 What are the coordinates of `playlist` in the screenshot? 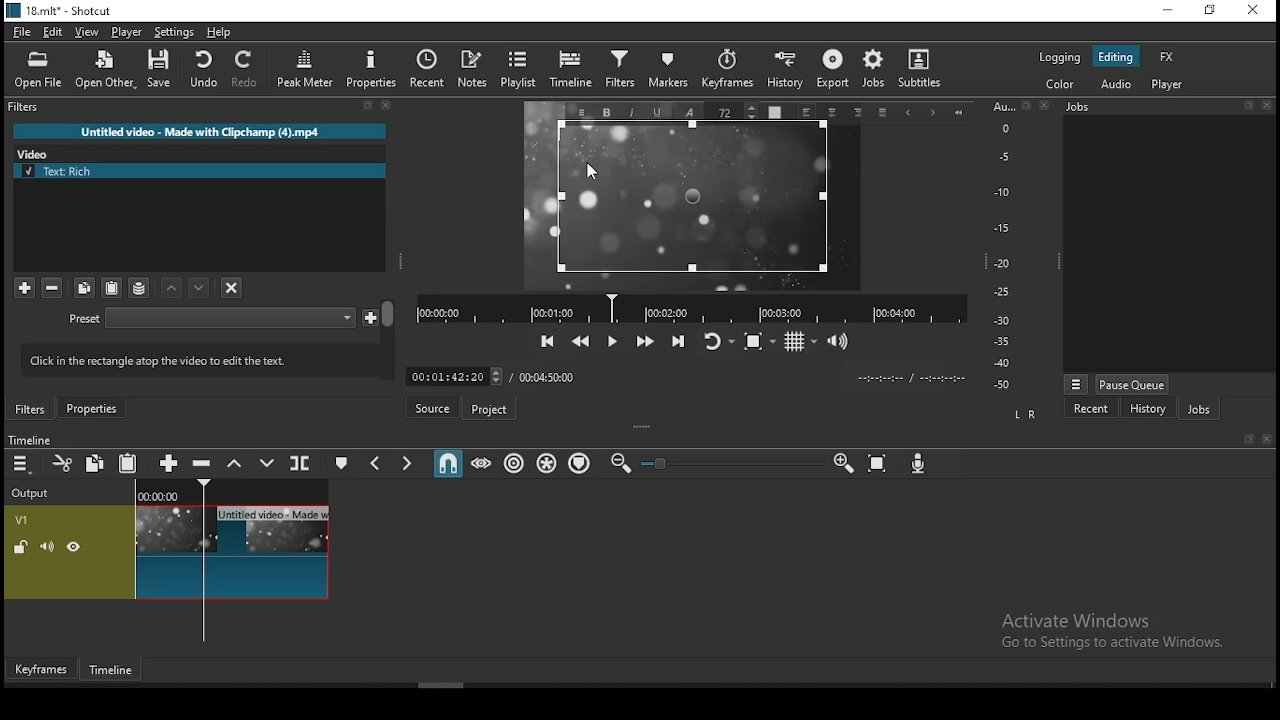 It's located at (519, 70).